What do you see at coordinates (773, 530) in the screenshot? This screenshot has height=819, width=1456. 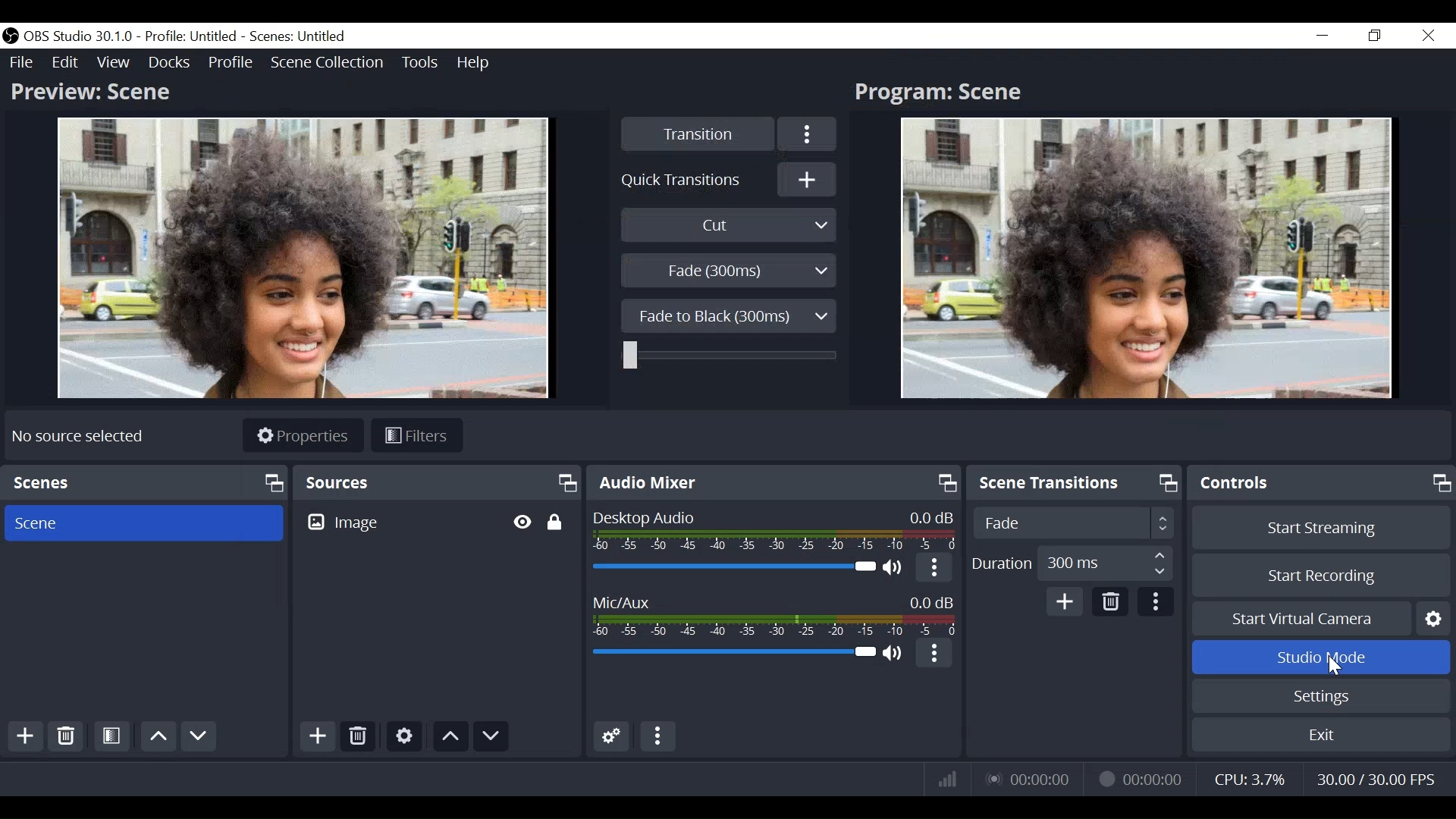 I see `Desktop Audio` at bounding box center [773, 530].